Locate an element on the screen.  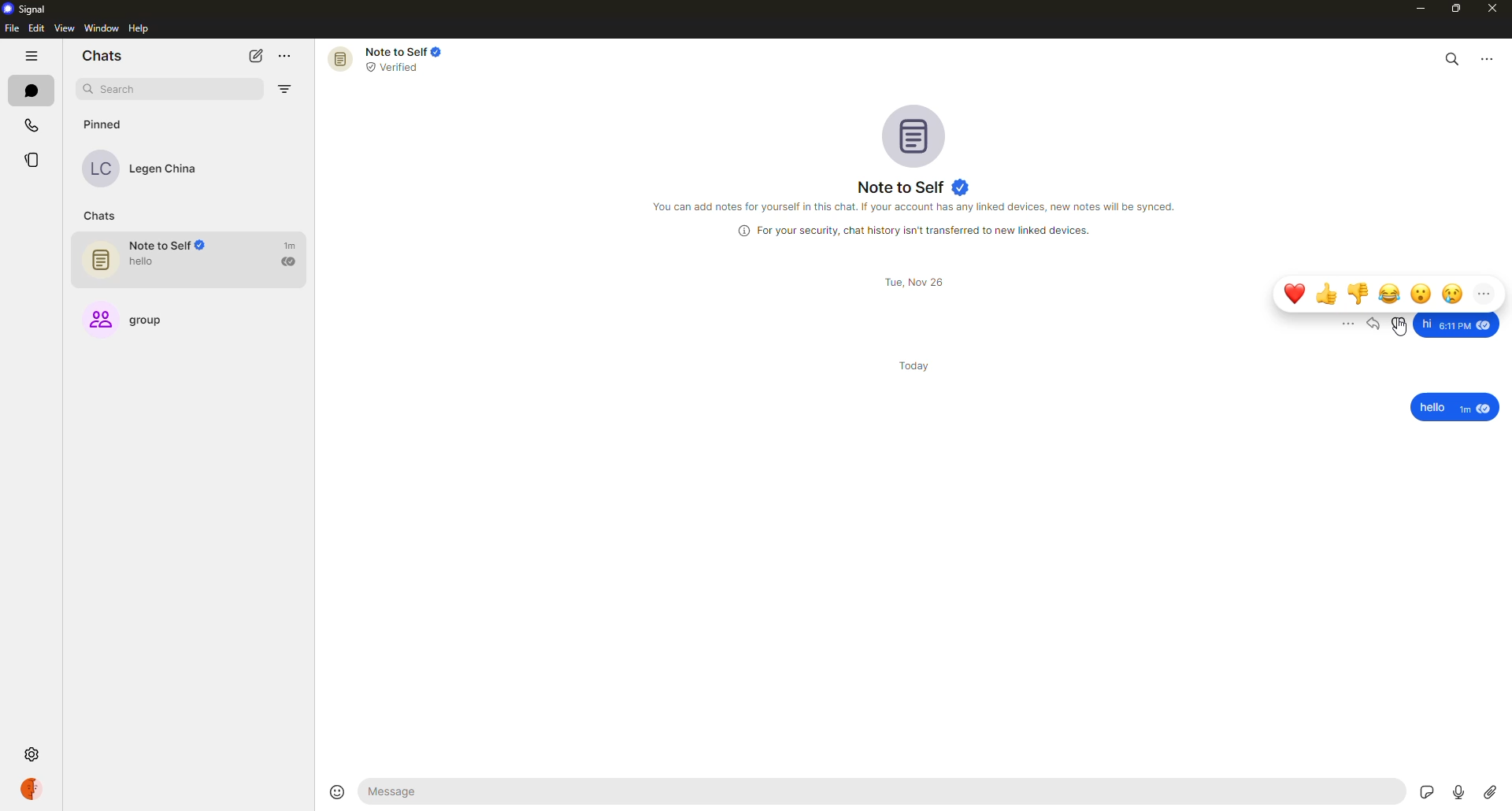
down is located at coordinates (1359, 293).